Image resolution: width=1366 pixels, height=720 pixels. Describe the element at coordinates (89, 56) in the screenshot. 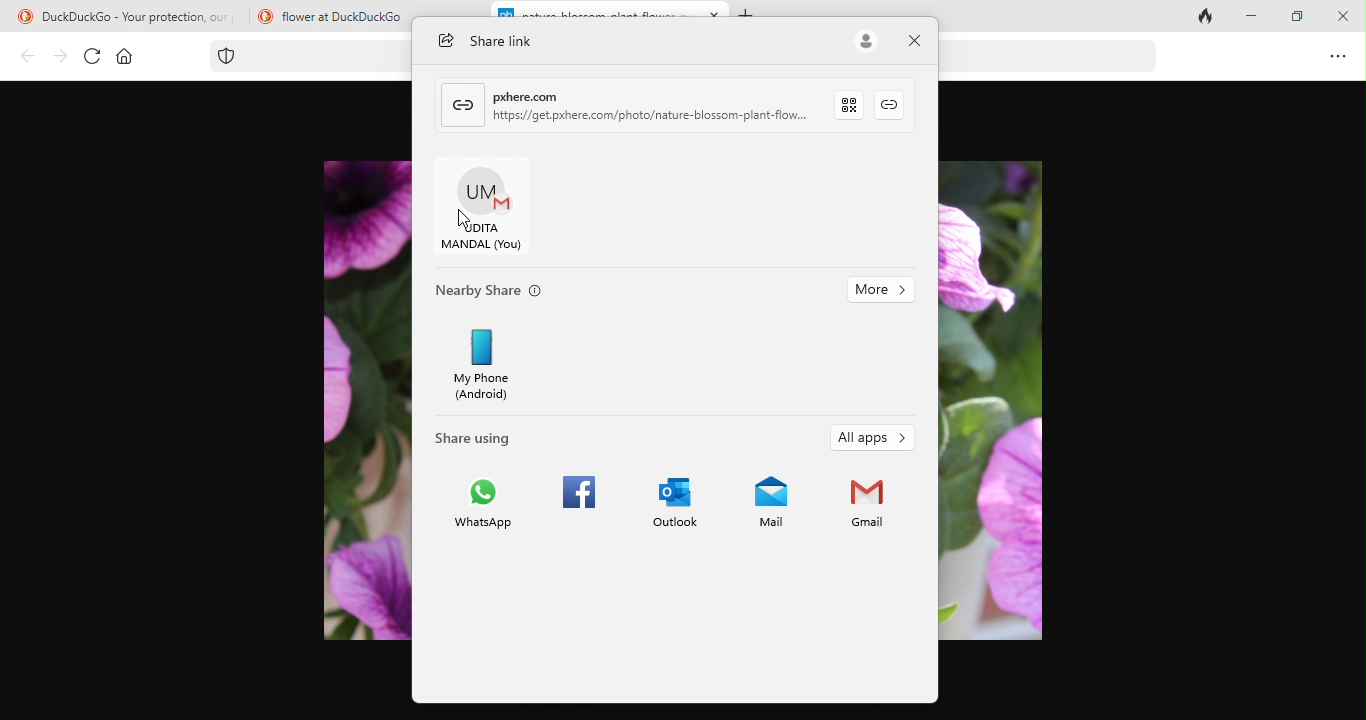

I see `refresh` at that location.